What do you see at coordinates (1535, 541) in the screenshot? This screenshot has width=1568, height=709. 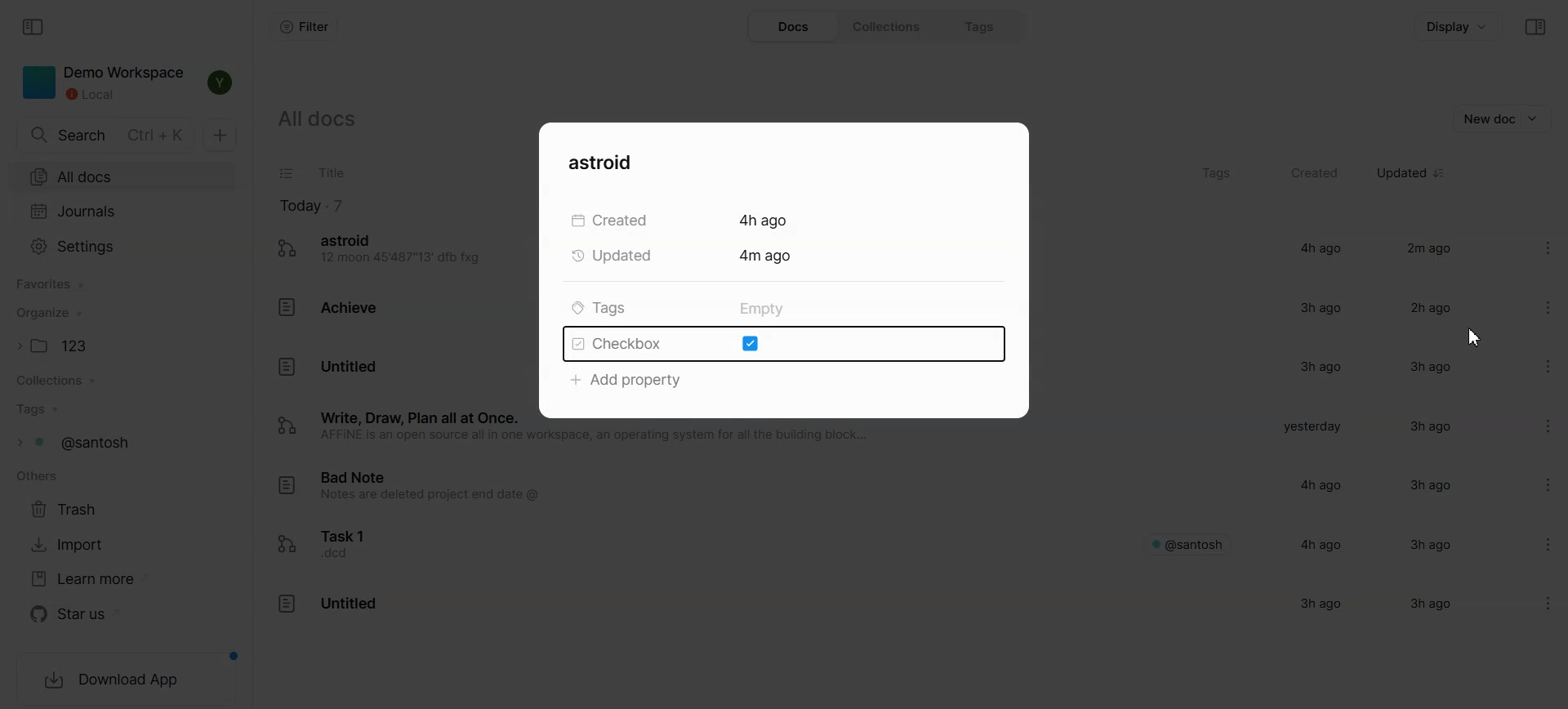 I see `Settings` at bounding box center [1535, 541].